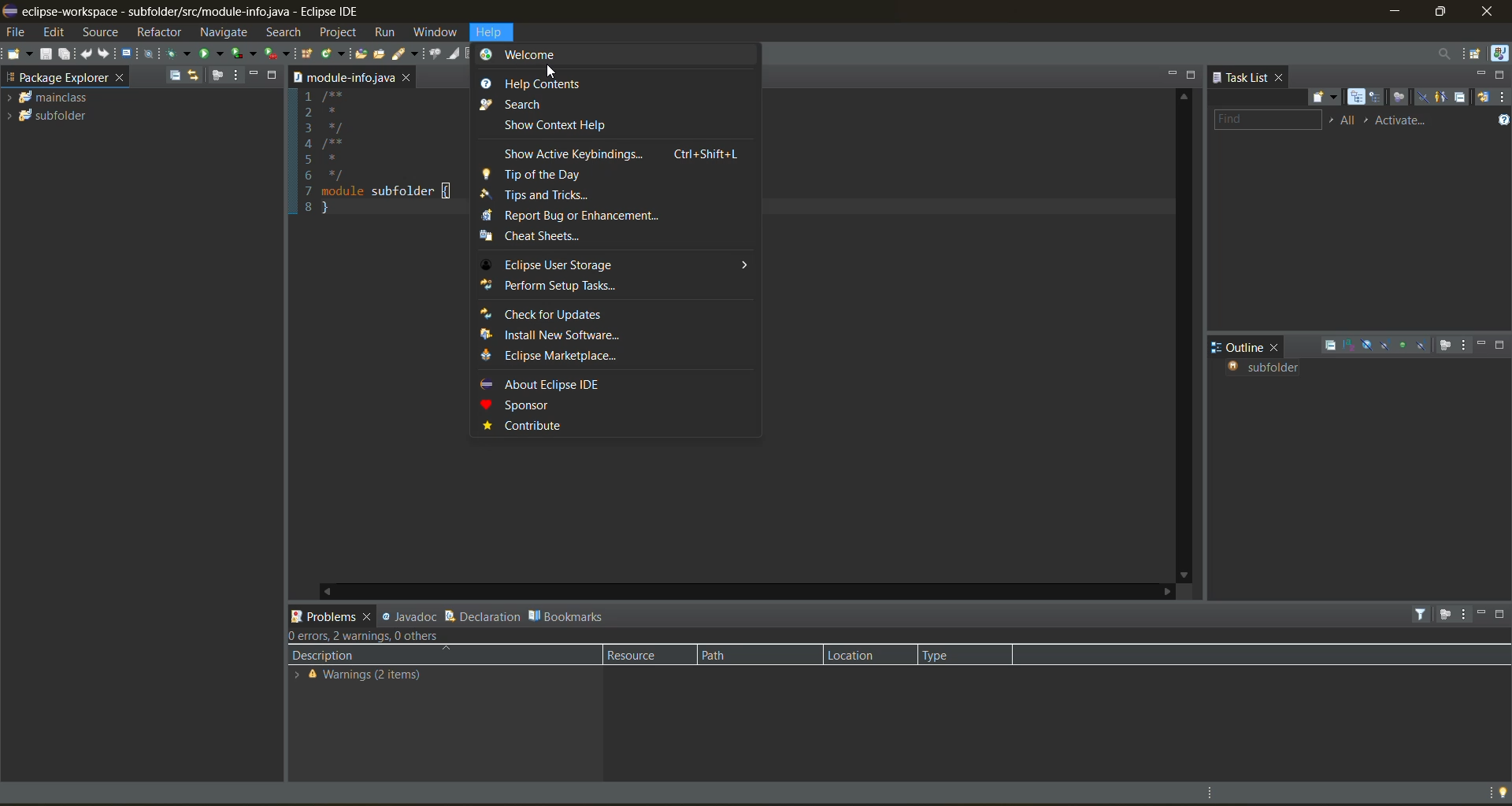 The width and height of the screenshot is (1512, 806). Describe the element at coordinates (324, 618) in the screenshot. I see `problems` at that location.